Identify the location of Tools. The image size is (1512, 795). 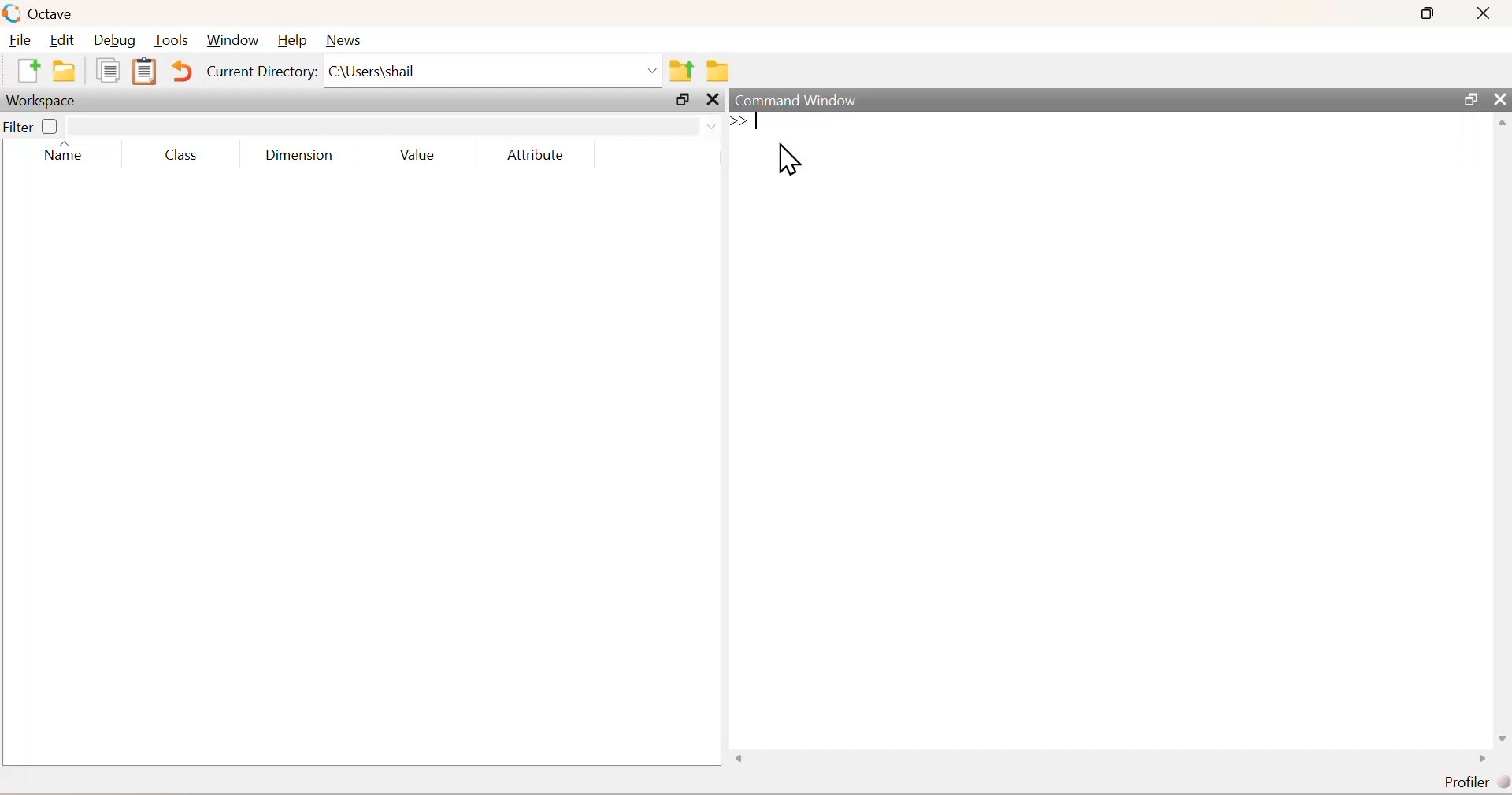
(172, 40).